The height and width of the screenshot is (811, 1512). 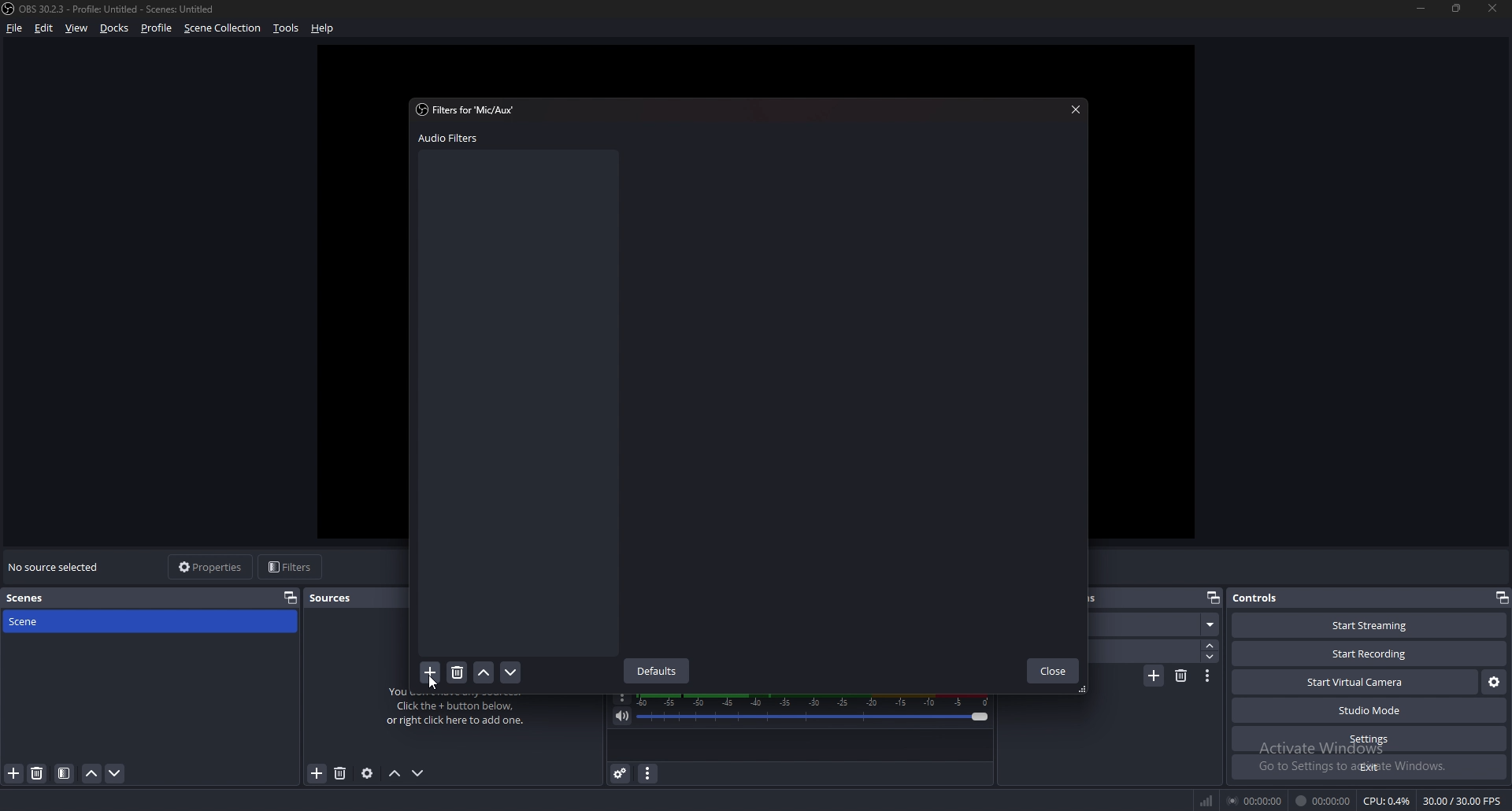 What do you see at coordinates (1465, 801) in the screenshot?
I see `30.00/30.00 FPS` at bounding box center [1465, 801].